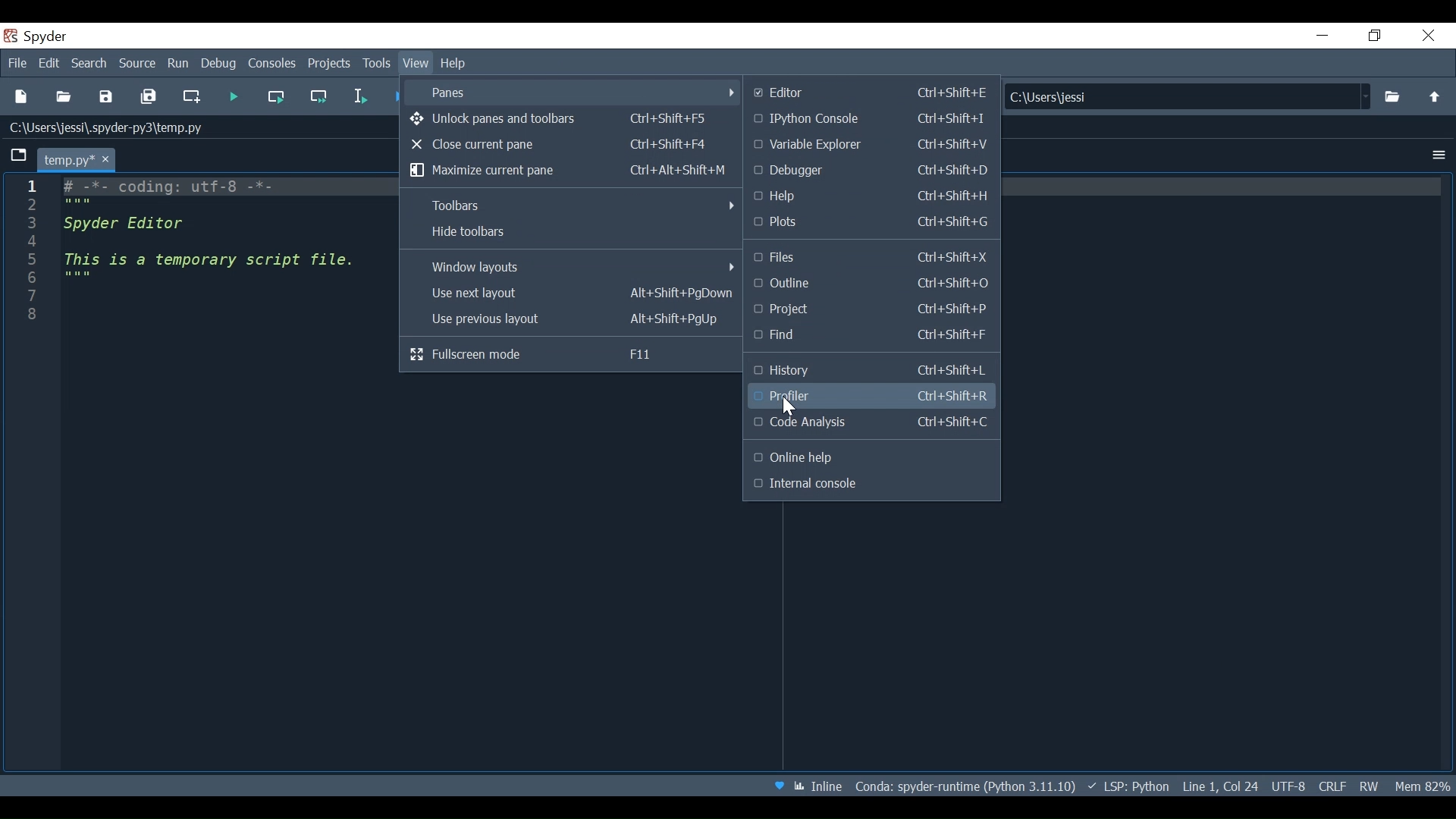 This screenshot has width=1456, height=819. I want to click on Window layouts, so click(573, 265).